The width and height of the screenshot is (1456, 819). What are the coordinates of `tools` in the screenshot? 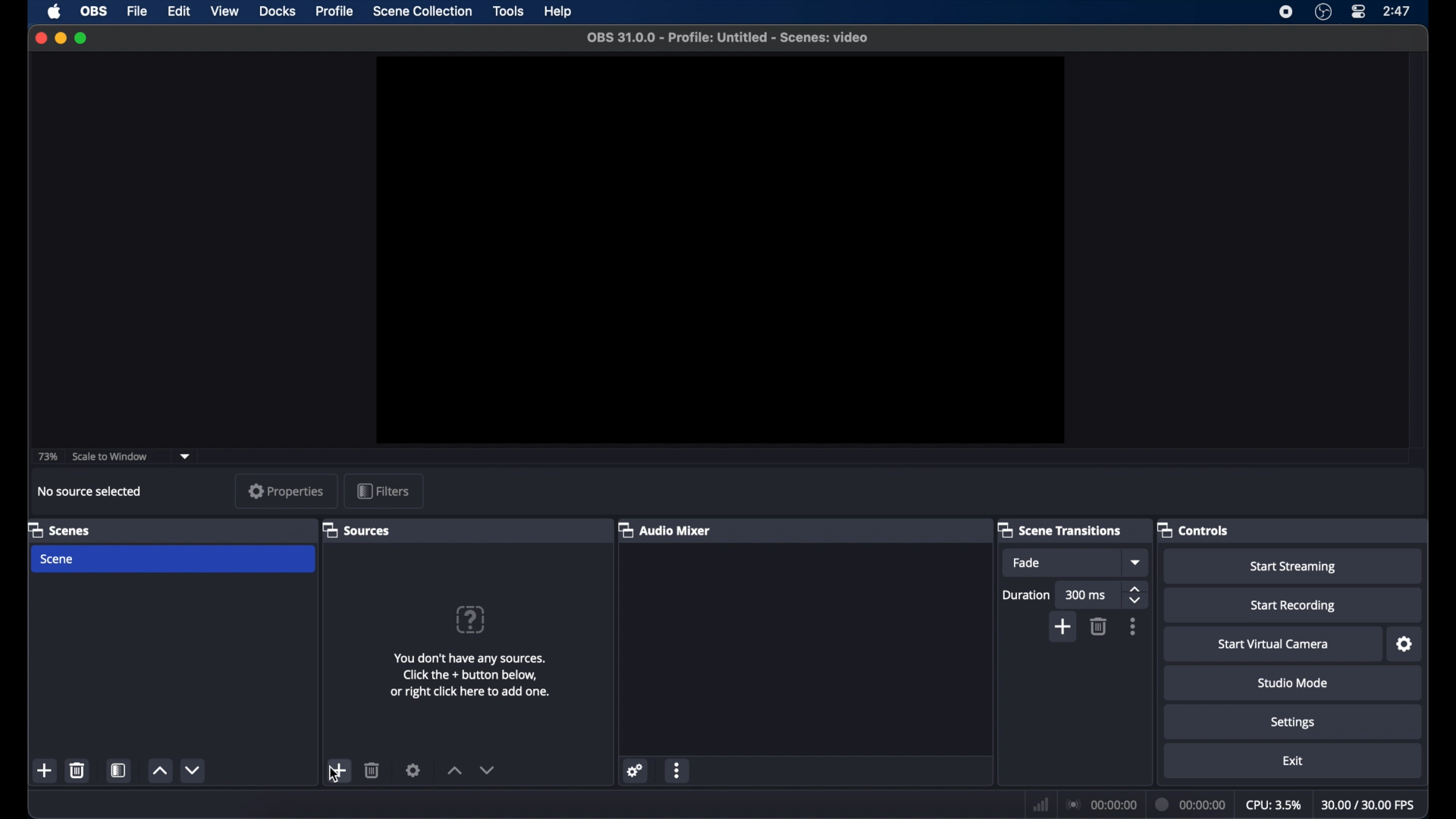 It's located at (510, 11).